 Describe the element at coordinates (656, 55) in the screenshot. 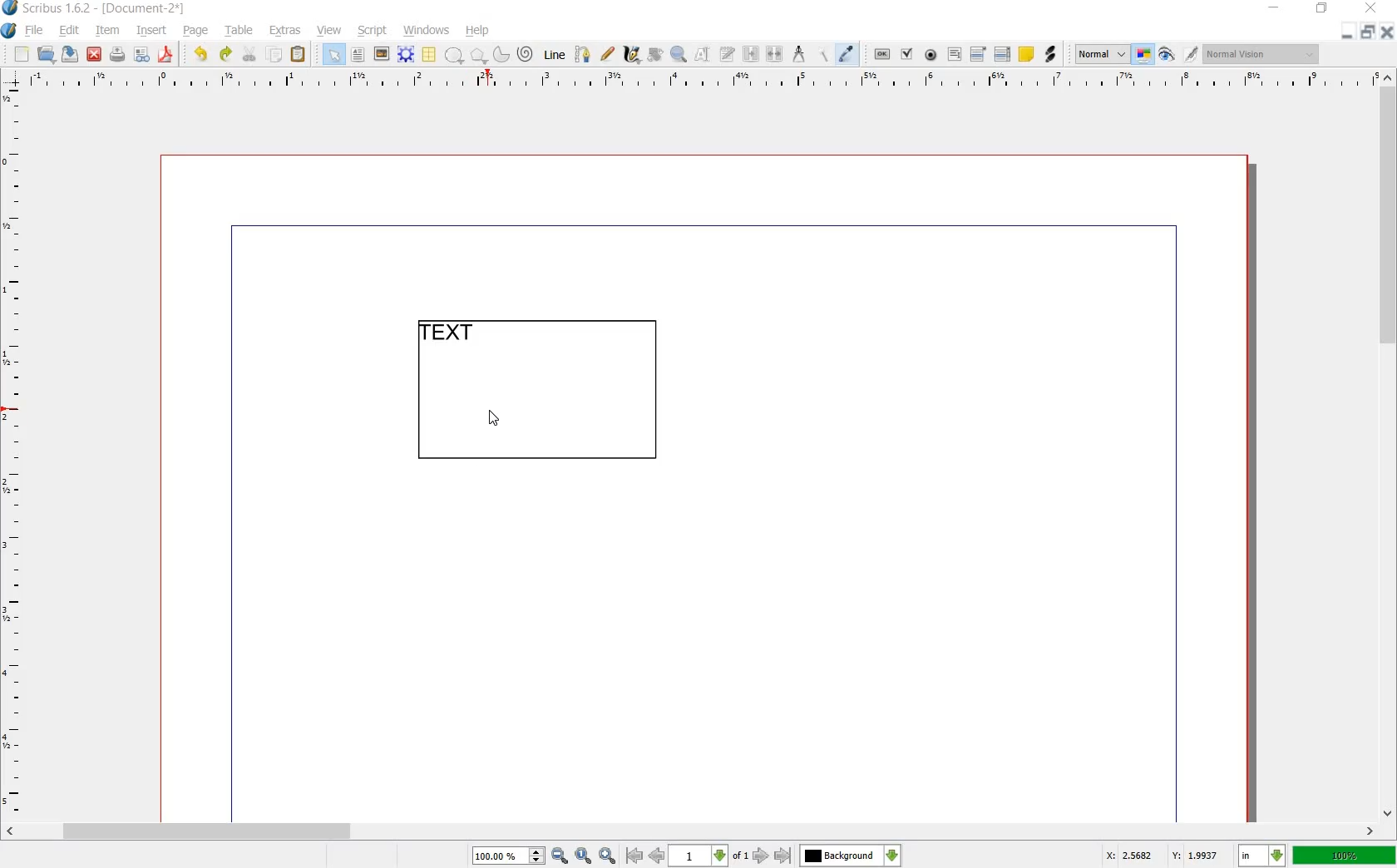

I see `rotate item` at that location.